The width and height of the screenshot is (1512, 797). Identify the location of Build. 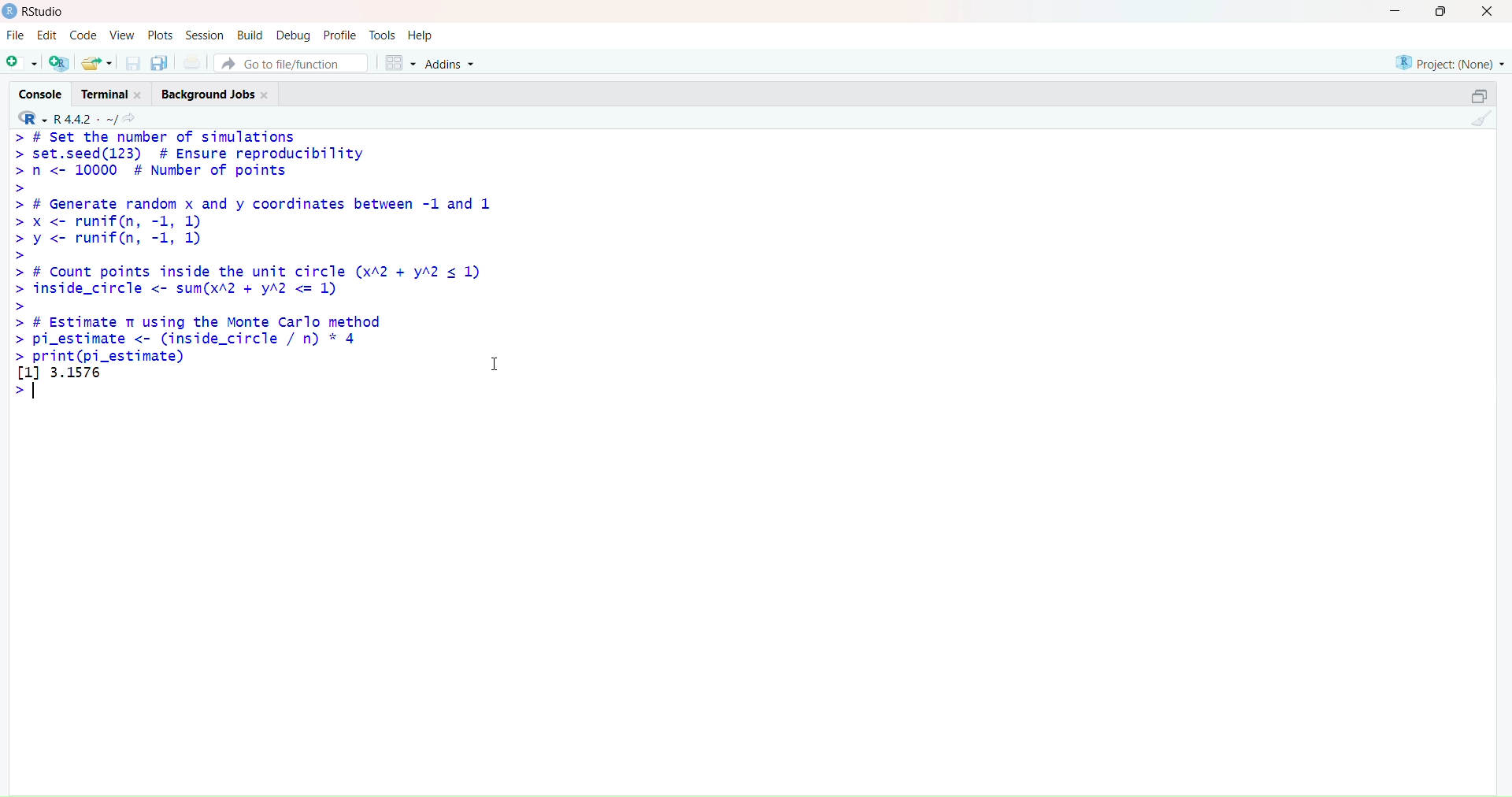
(250, 34).